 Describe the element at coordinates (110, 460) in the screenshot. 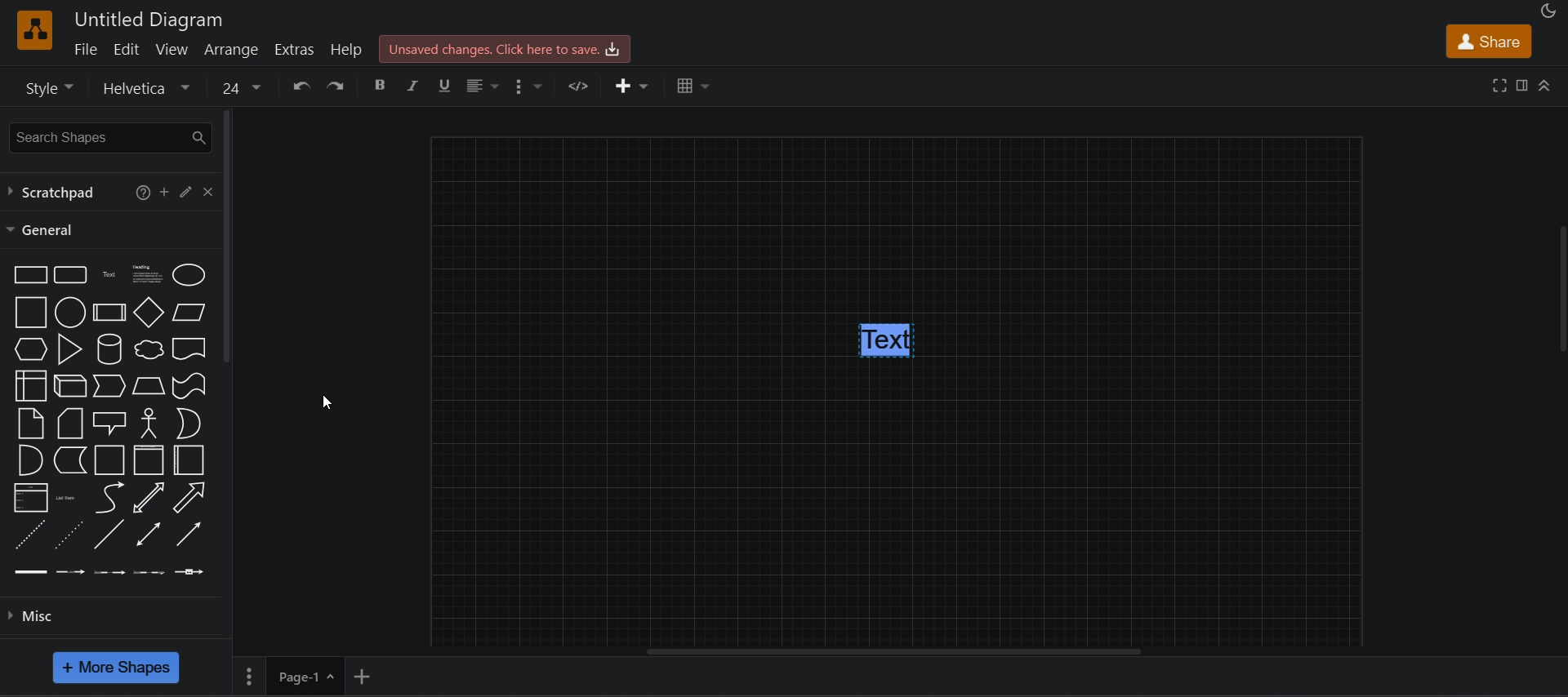

I see `Container` at that location.